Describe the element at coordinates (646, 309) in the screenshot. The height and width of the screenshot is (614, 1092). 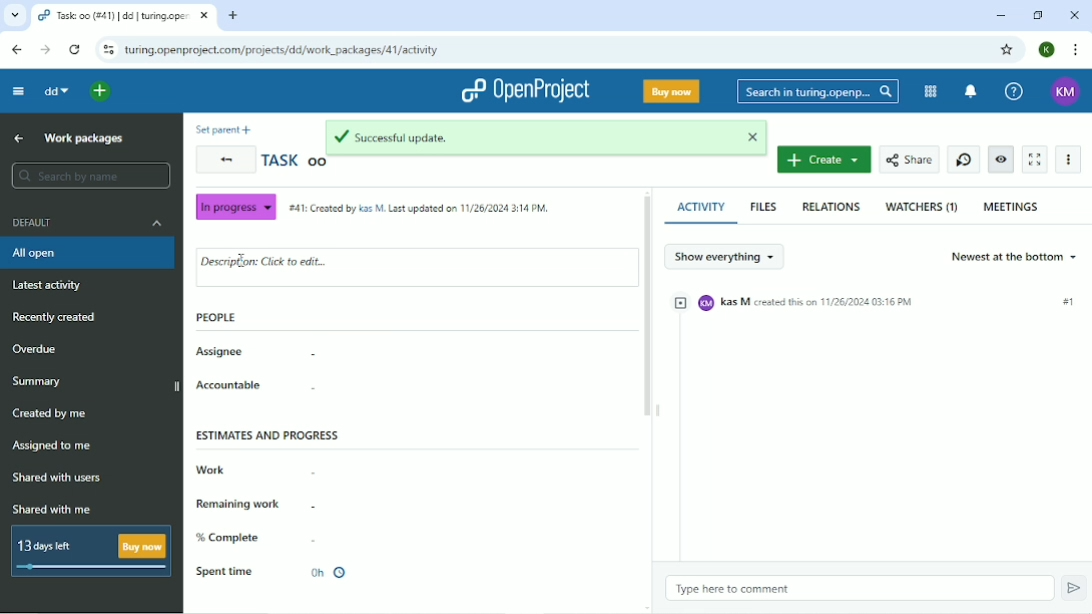
I see `Vertical scrollbar ` at that location.